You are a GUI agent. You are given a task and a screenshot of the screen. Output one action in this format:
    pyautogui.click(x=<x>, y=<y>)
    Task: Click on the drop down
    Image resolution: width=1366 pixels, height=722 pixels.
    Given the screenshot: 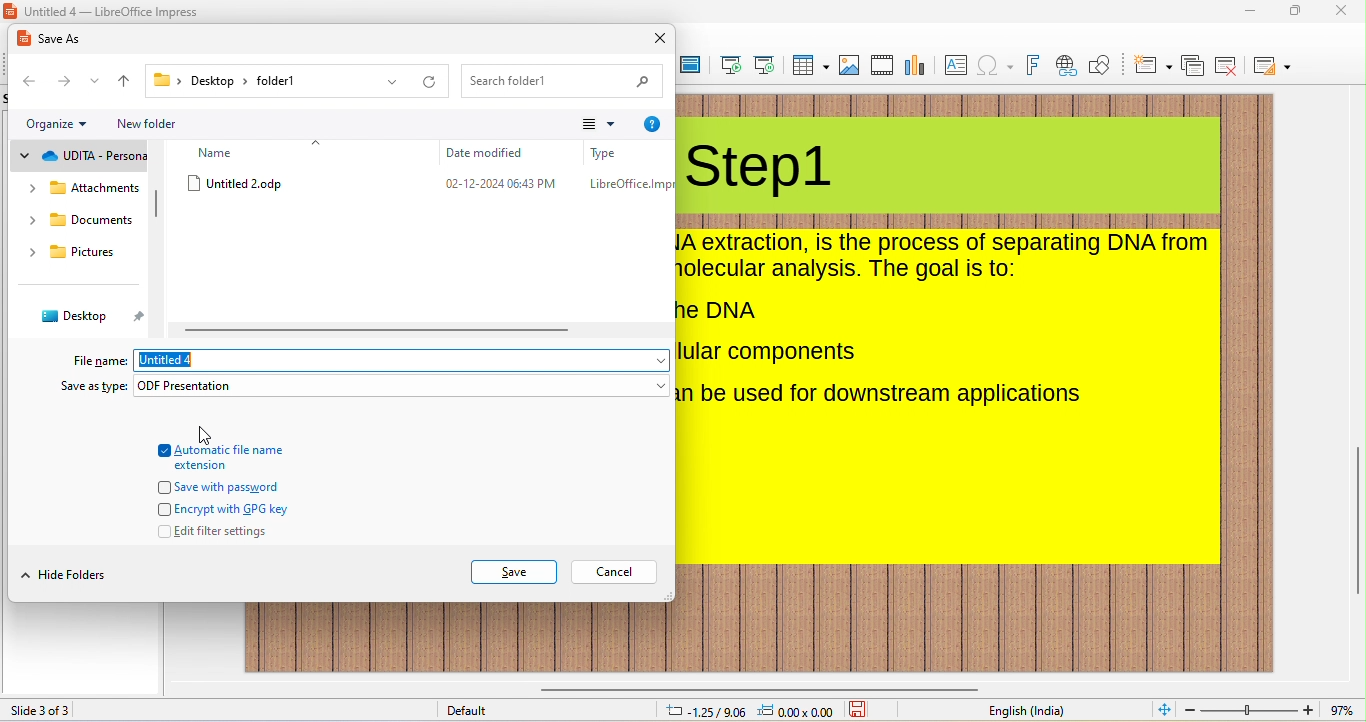 What is the action you would take?
    pyautogui.click(x=96, y=83)
    